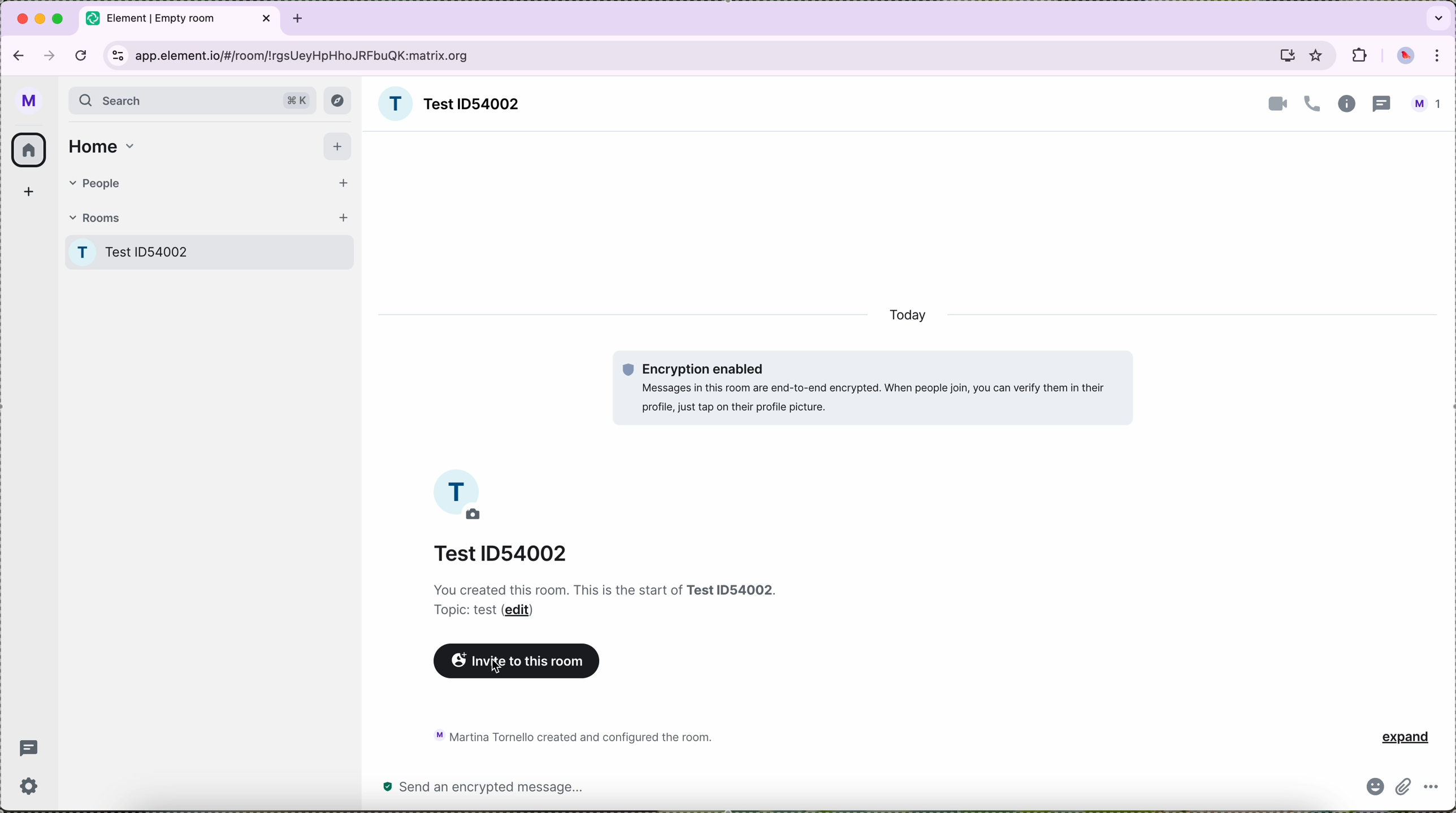 This screenshot has width=1456, height=813. What do you see at coordinates (81, 55) in the screenshot?
I see `refresh the page` at bounding box center [81, 55].